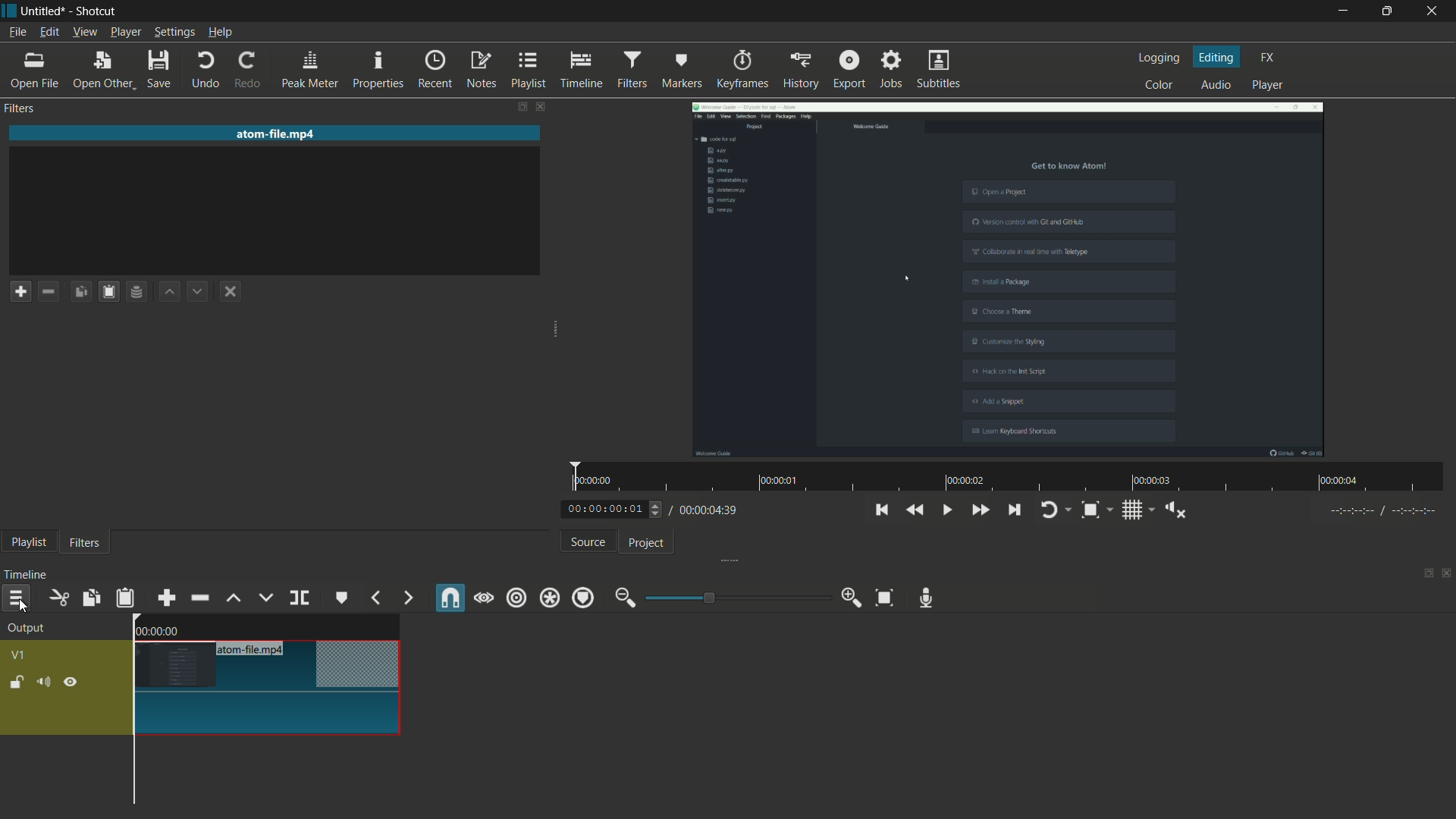 This screenshot has height=819, width=1456. Describe the element at coordinates (1049, 510) in the screenshot. I see `toggle player looping` at that location.